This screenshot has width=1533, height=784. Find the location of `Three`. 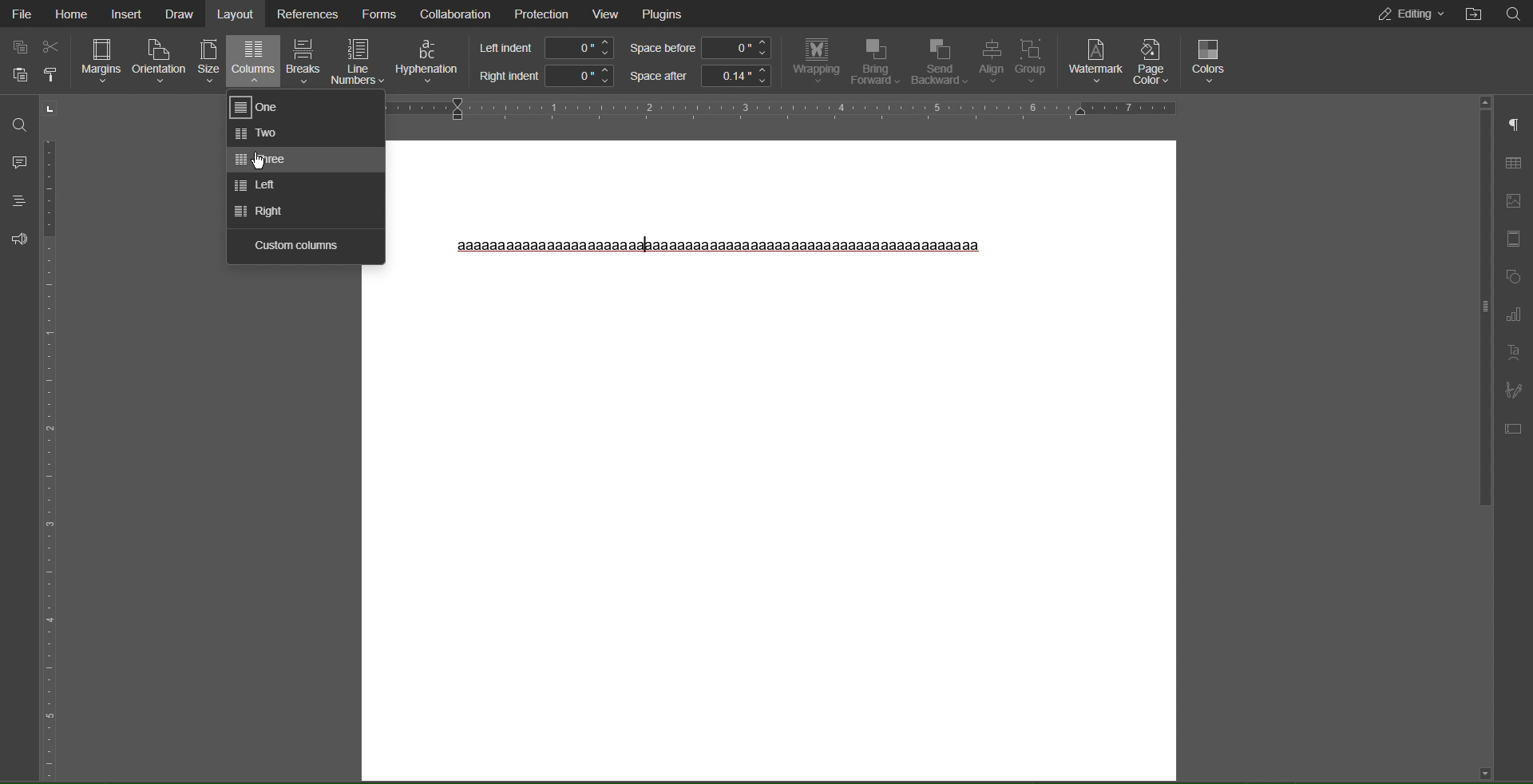

Three is located at coordinates (258, 160).